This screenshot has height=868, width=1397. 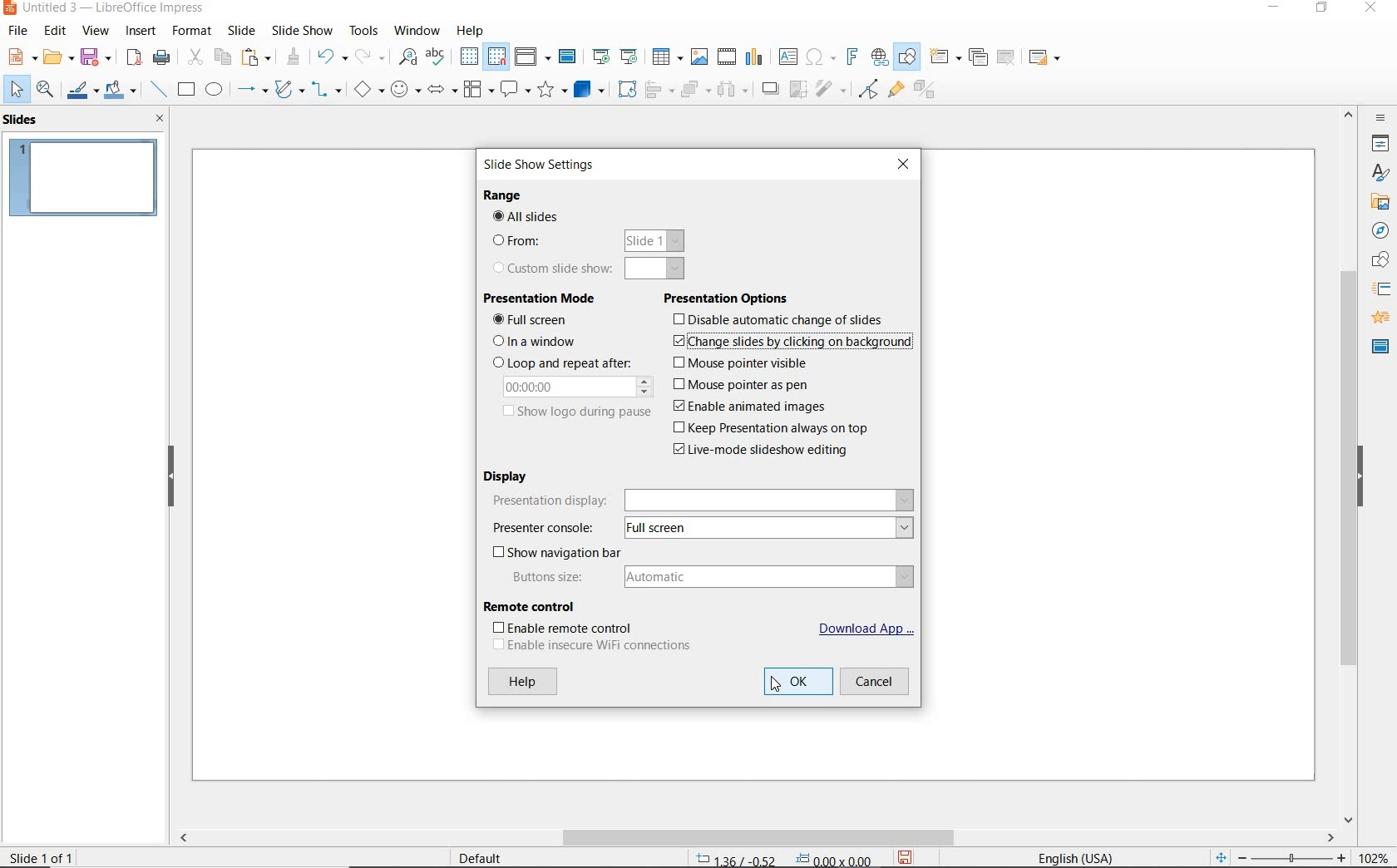 I want to click on FILL COLOR, so click(x=120, y=91).